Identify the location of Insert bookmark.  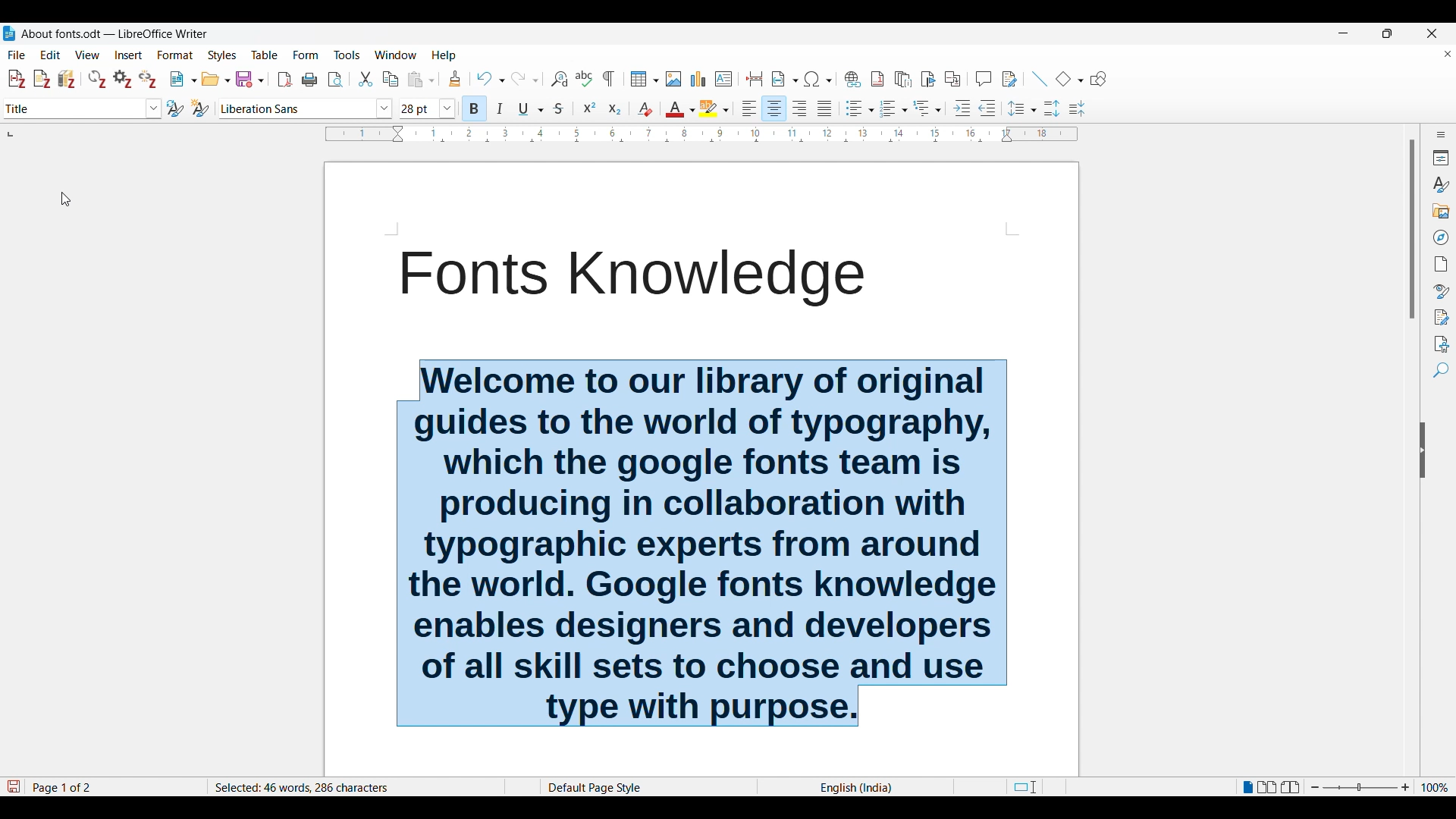
(929, 80).